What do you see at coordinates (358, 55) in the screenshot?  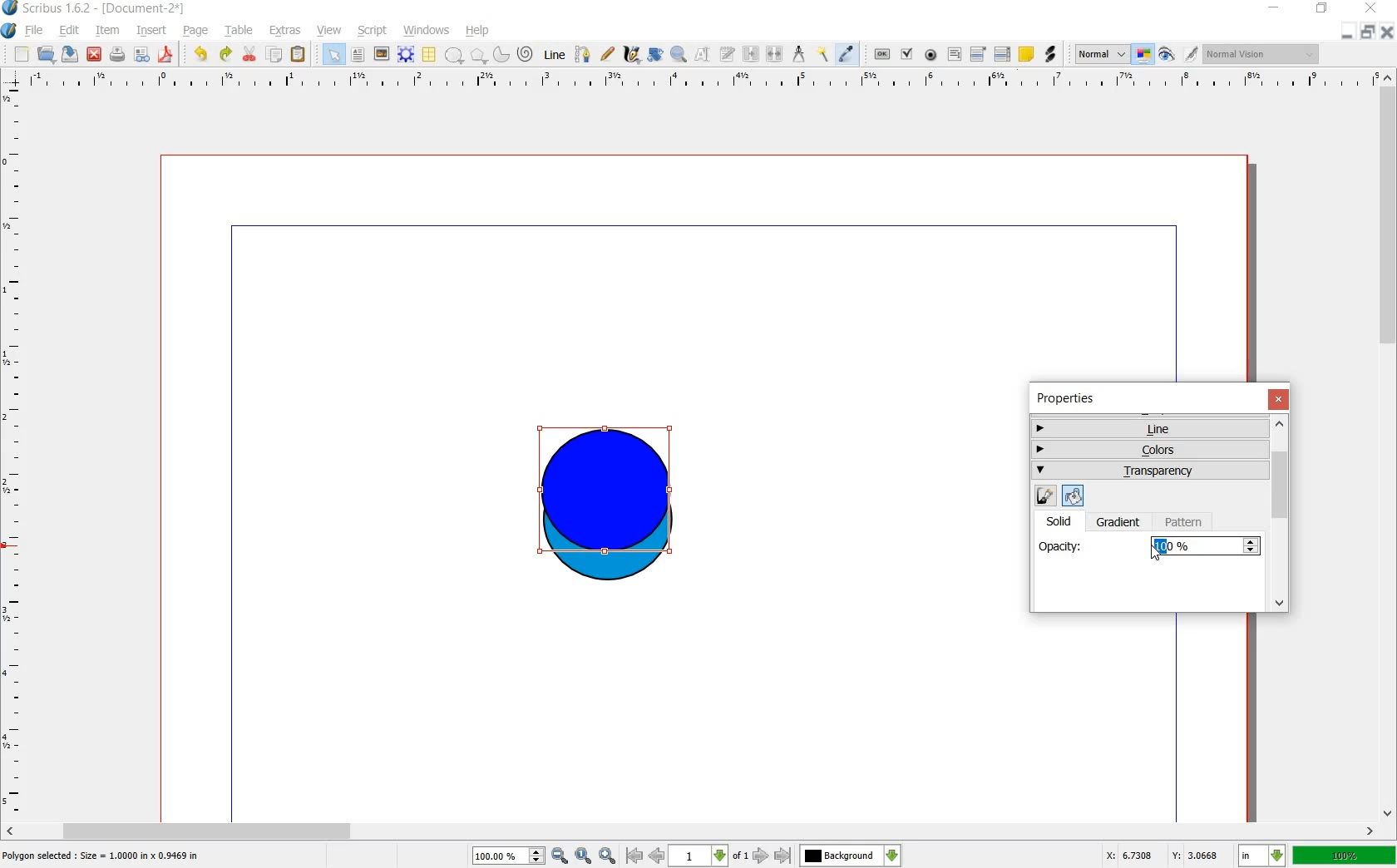 I see `text frame` at bounding box center [358, 55].